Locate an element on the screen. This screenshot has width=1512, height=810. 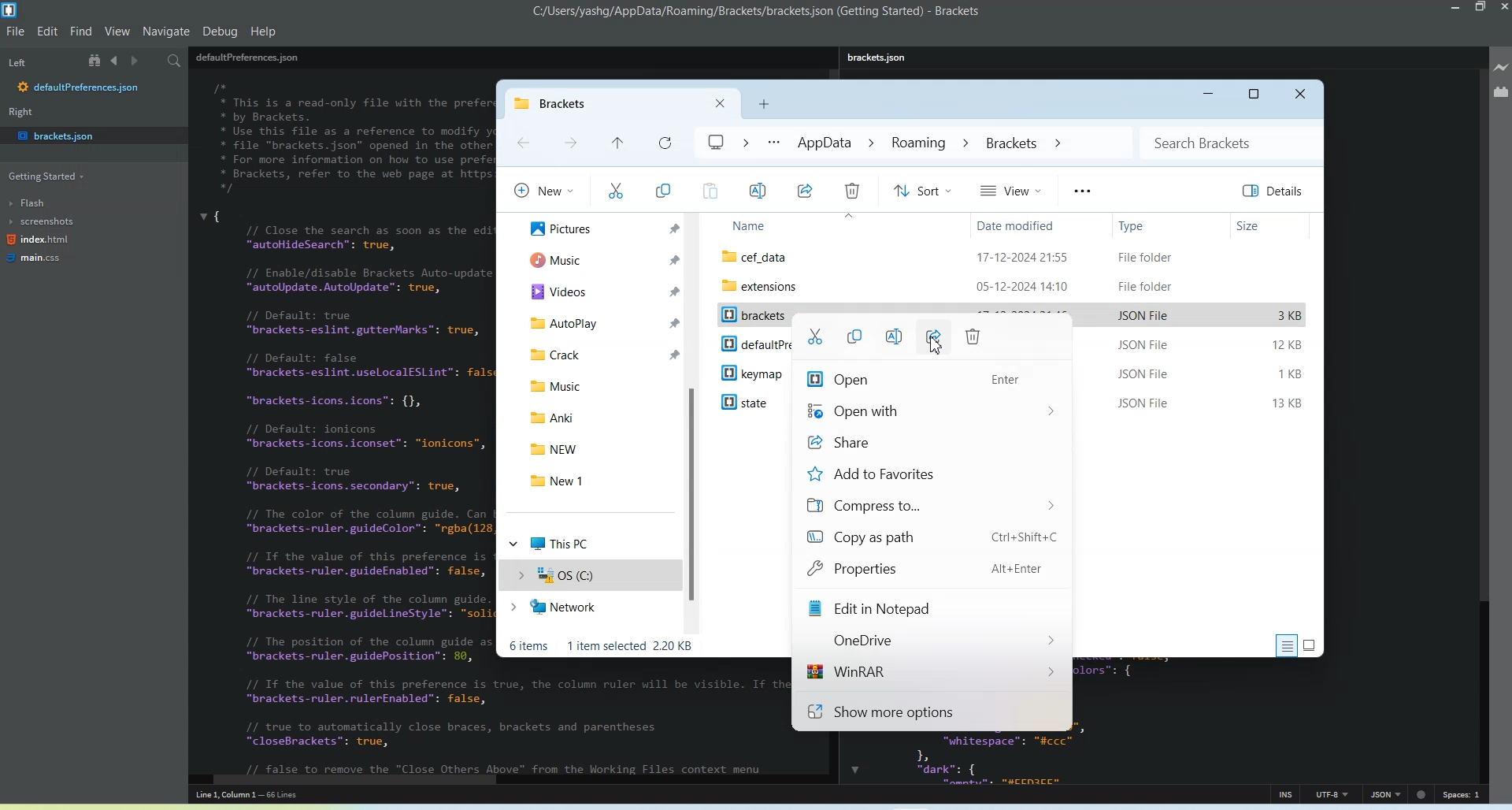
Navigate is located at coordinates (166, 32).